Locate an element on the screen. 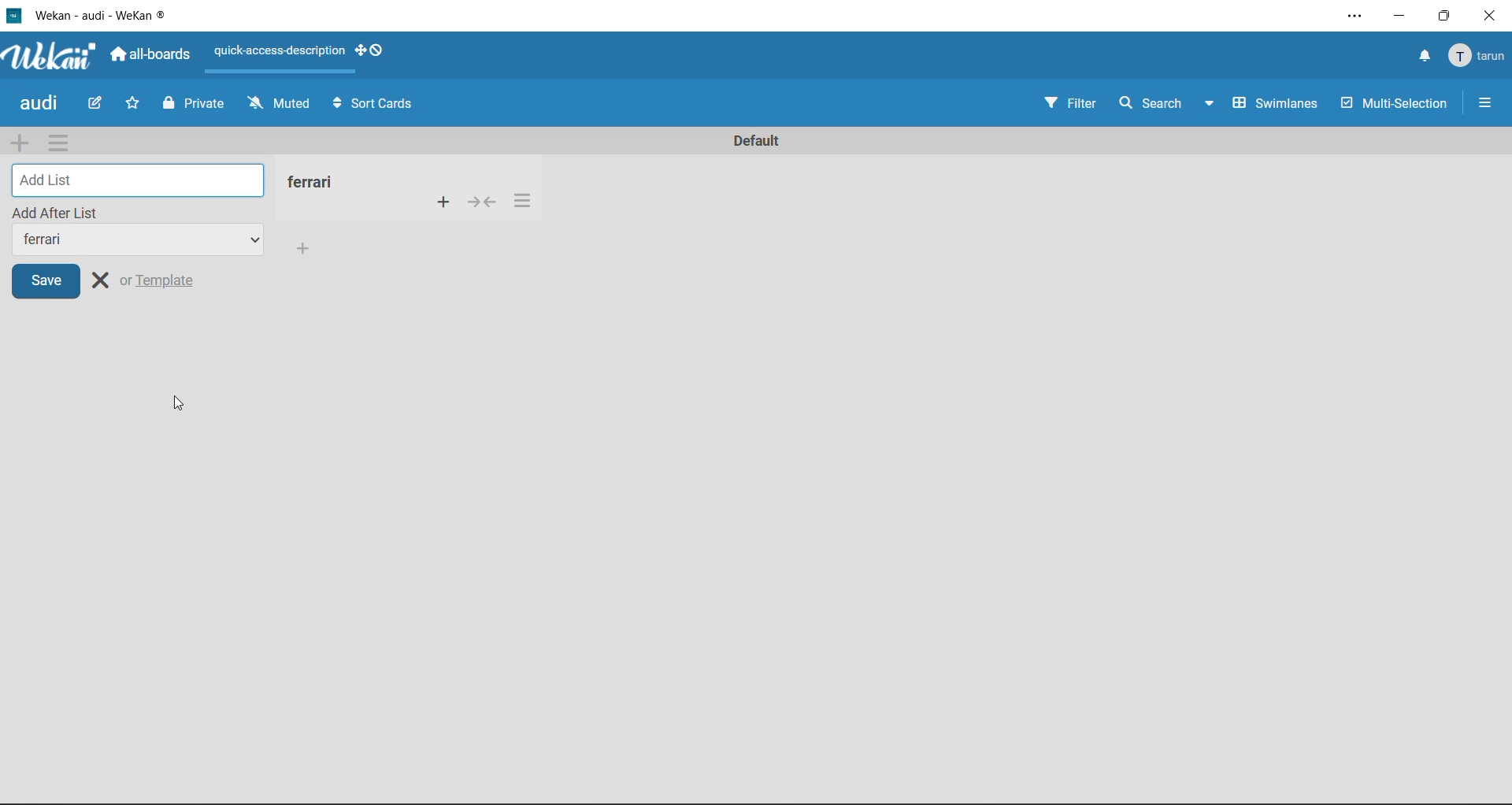 The width and height of the screenshot is (1512, 805). list title is located at coordinates (138, 245).